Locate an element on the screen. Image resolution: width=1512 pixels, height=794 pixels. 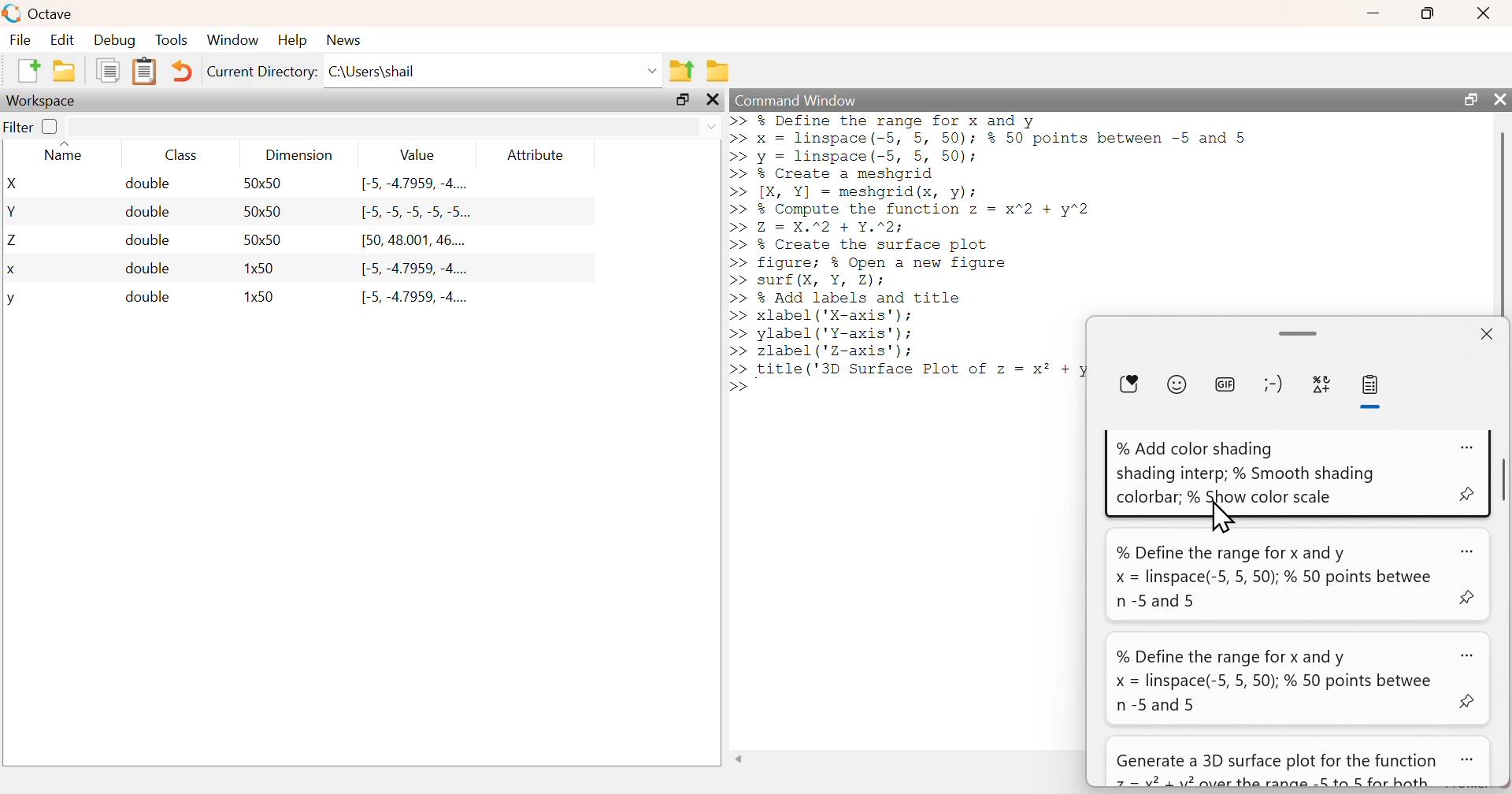
[-5, -4.7959, -4.... is located at coordinates (417, 298).